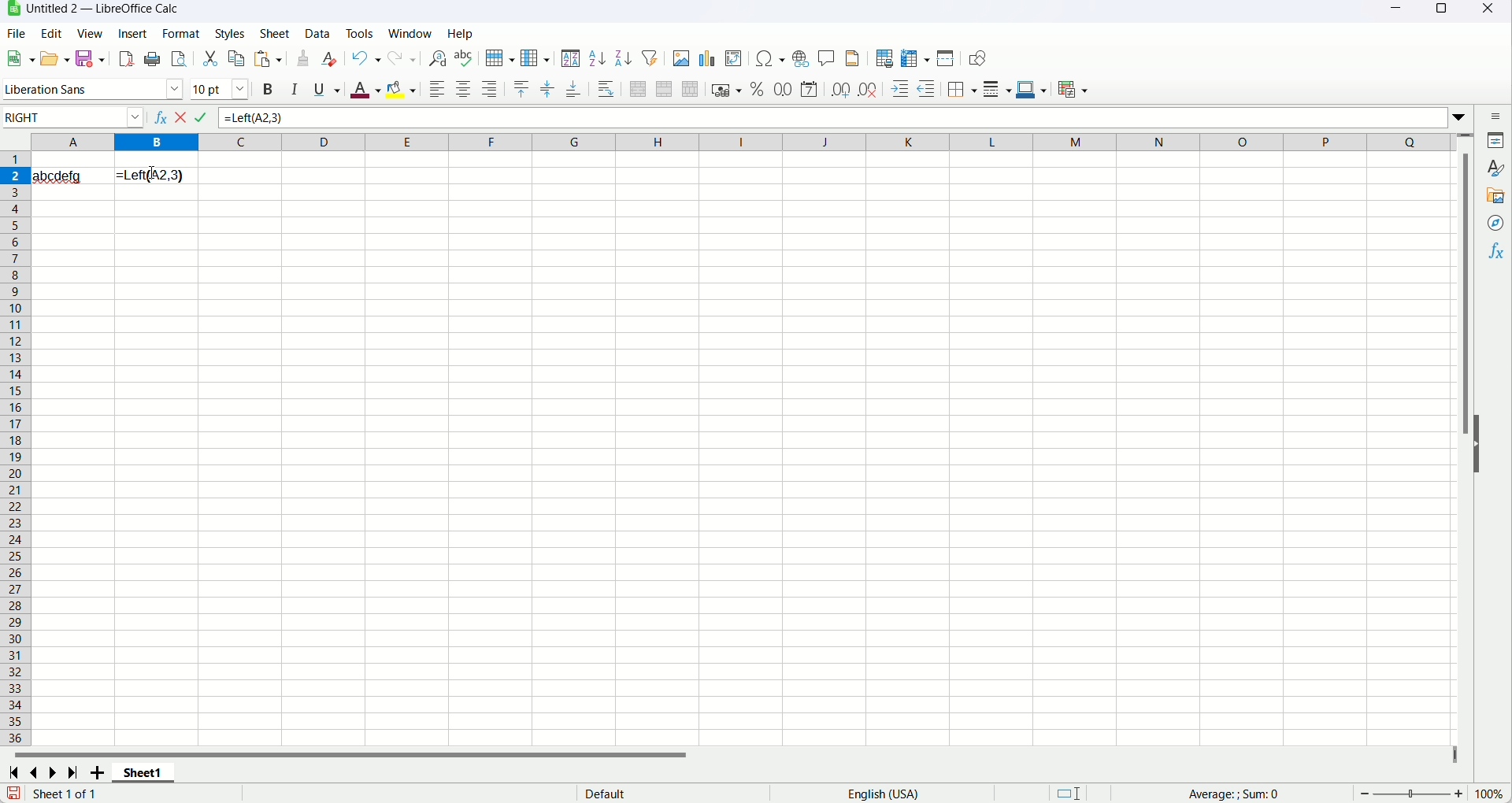  What do you see at coordinates (883, 794) in the screenshot?
I see `language` at bounding box center [883, 794].